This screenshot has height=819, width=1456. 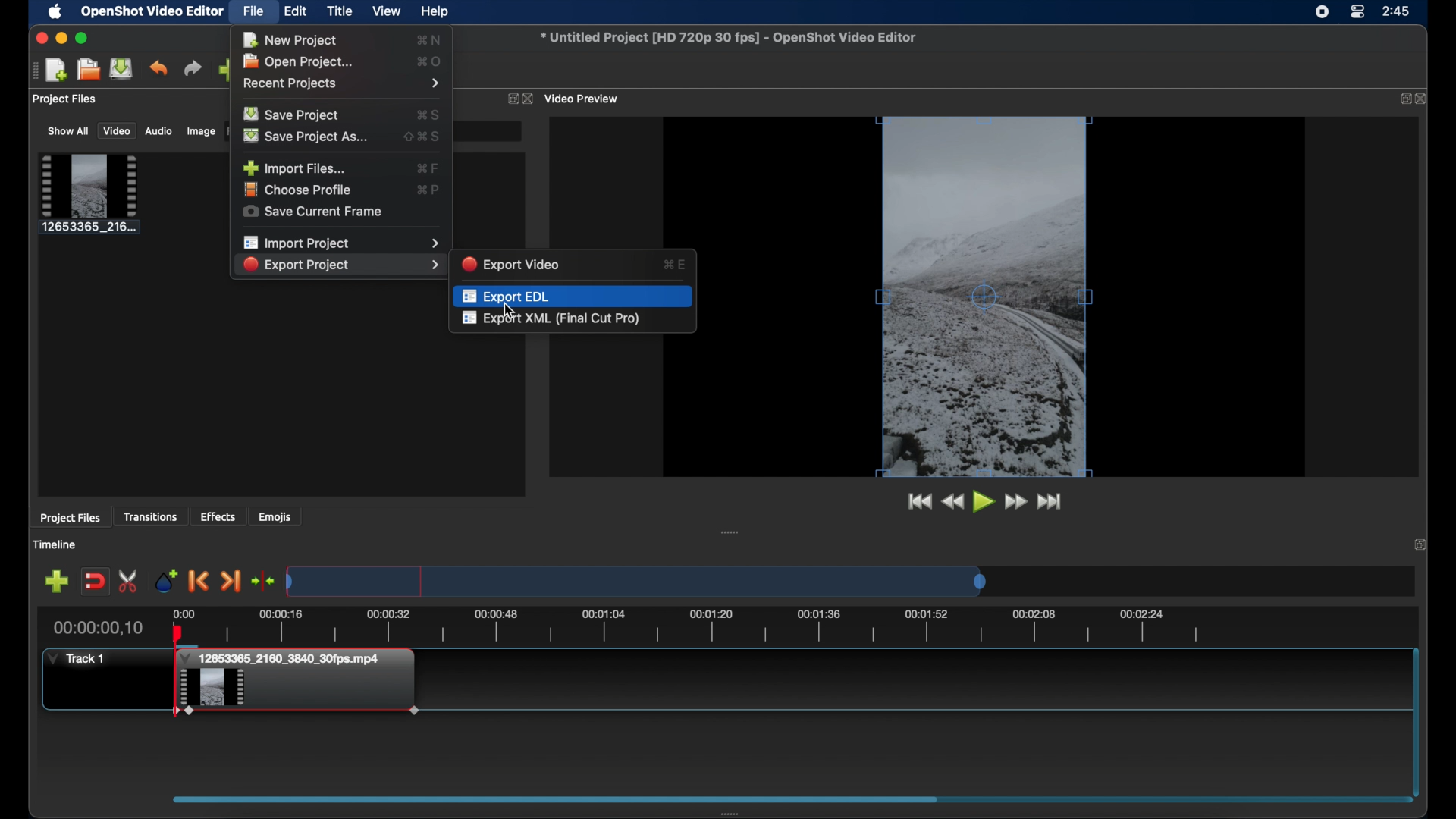 I want to click on track, so click(x=77, y=657).